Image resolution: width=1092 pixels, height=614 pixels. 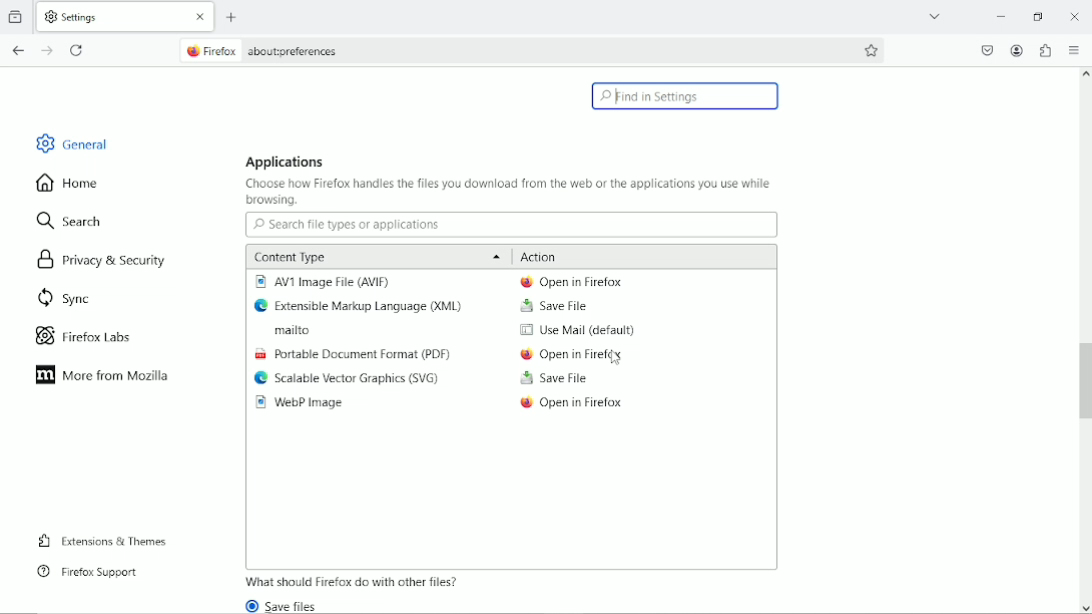 I want to click on Bookmark this page, so click(x=873, y=50).